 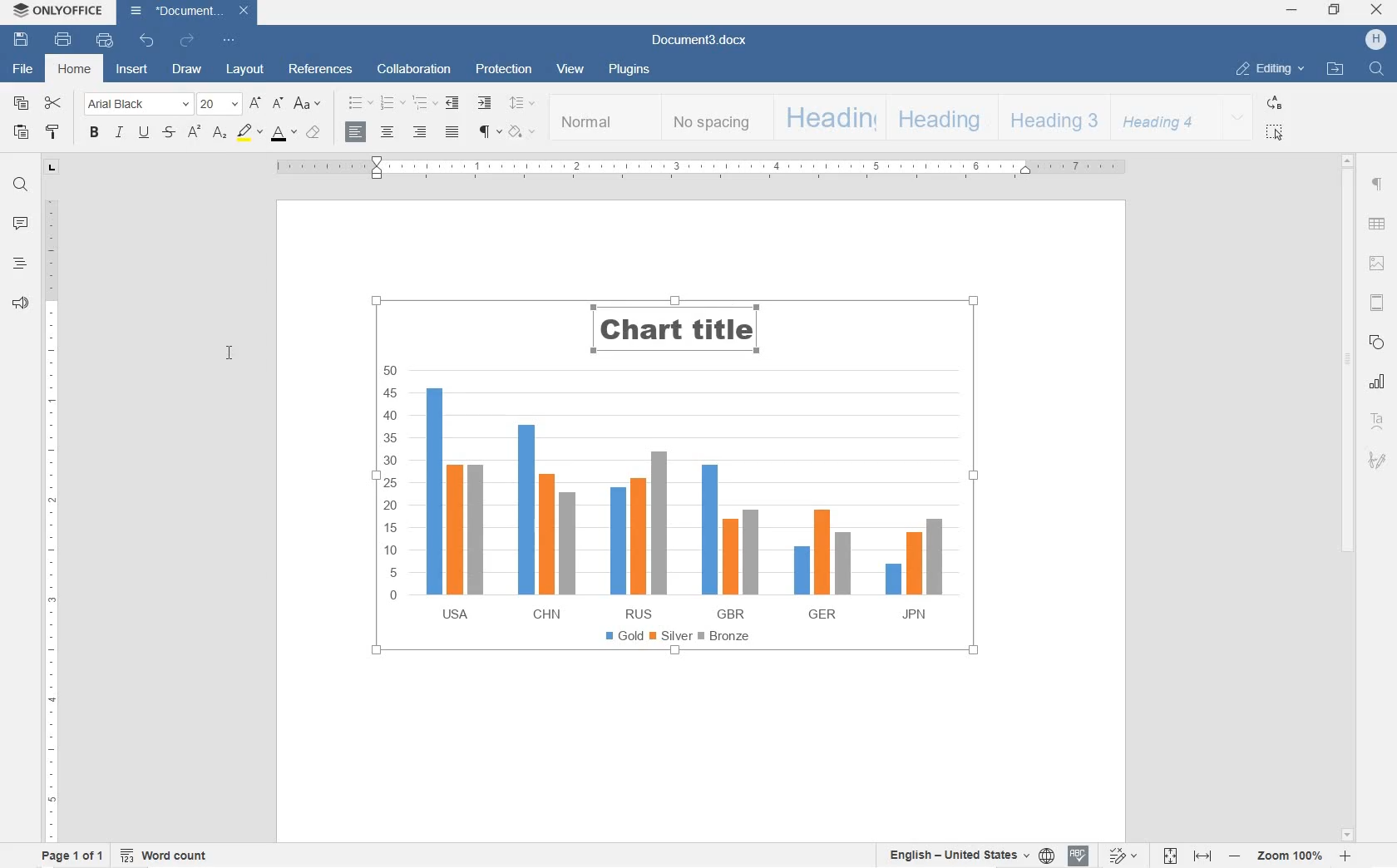 I want to click on HEADING 2, so click(x=939, y=118).